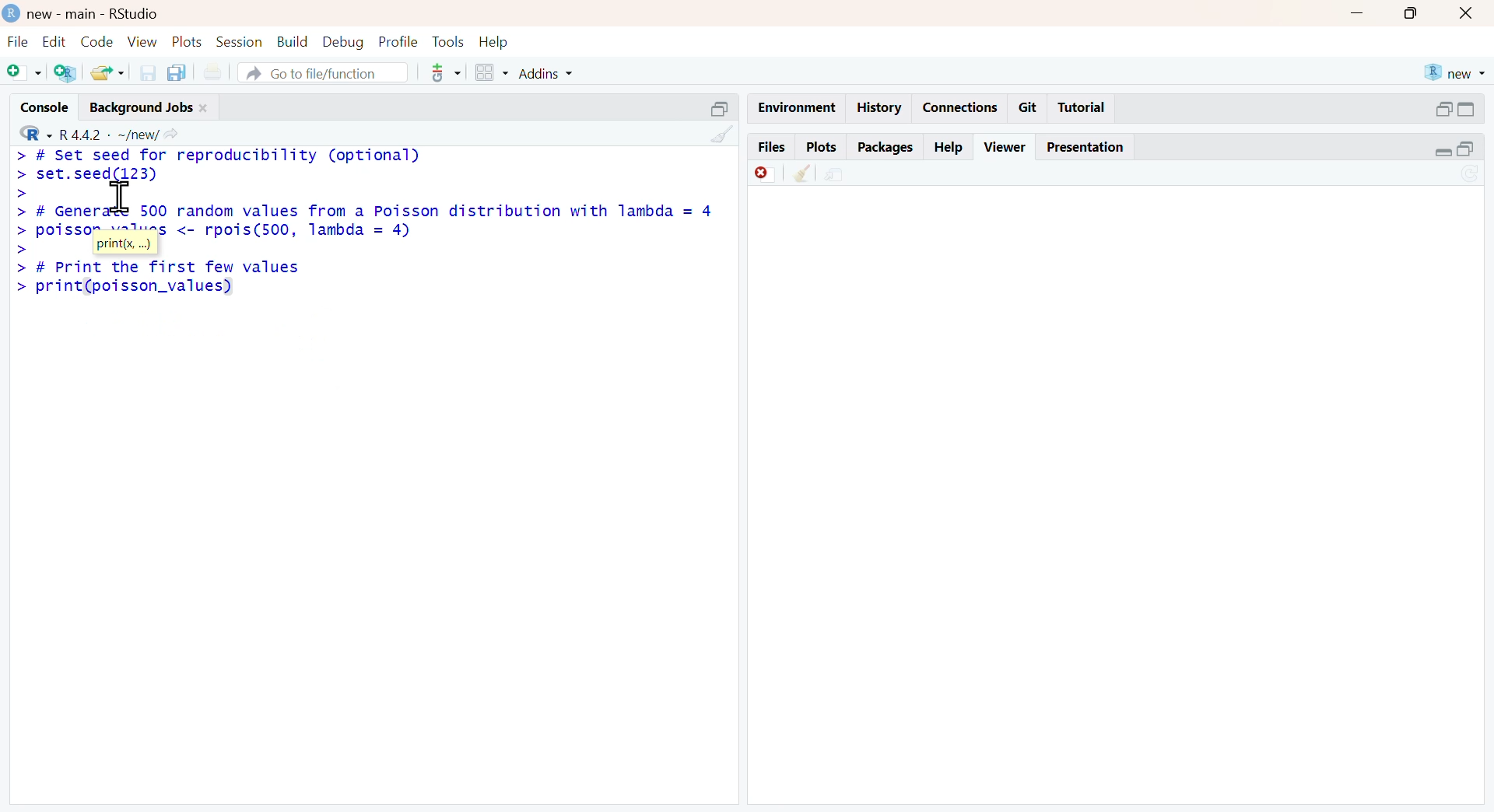 The height and width of the screenshot is (812, 1494). What do you see at coordinates (22, 240) in the screenshot?
I see `>>` at bounding box center [22, 240].